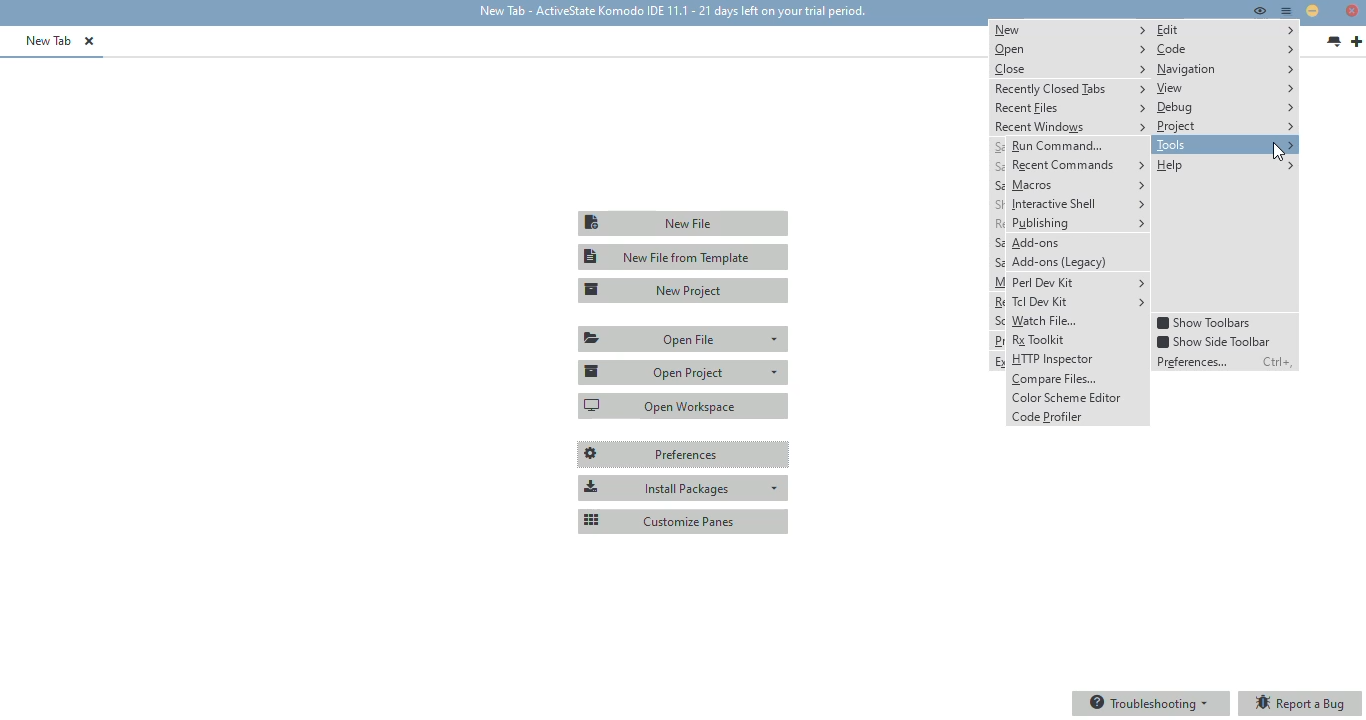 This screenshot has height=720, width=1366. I want to click on recent files, so click(1070, 109).